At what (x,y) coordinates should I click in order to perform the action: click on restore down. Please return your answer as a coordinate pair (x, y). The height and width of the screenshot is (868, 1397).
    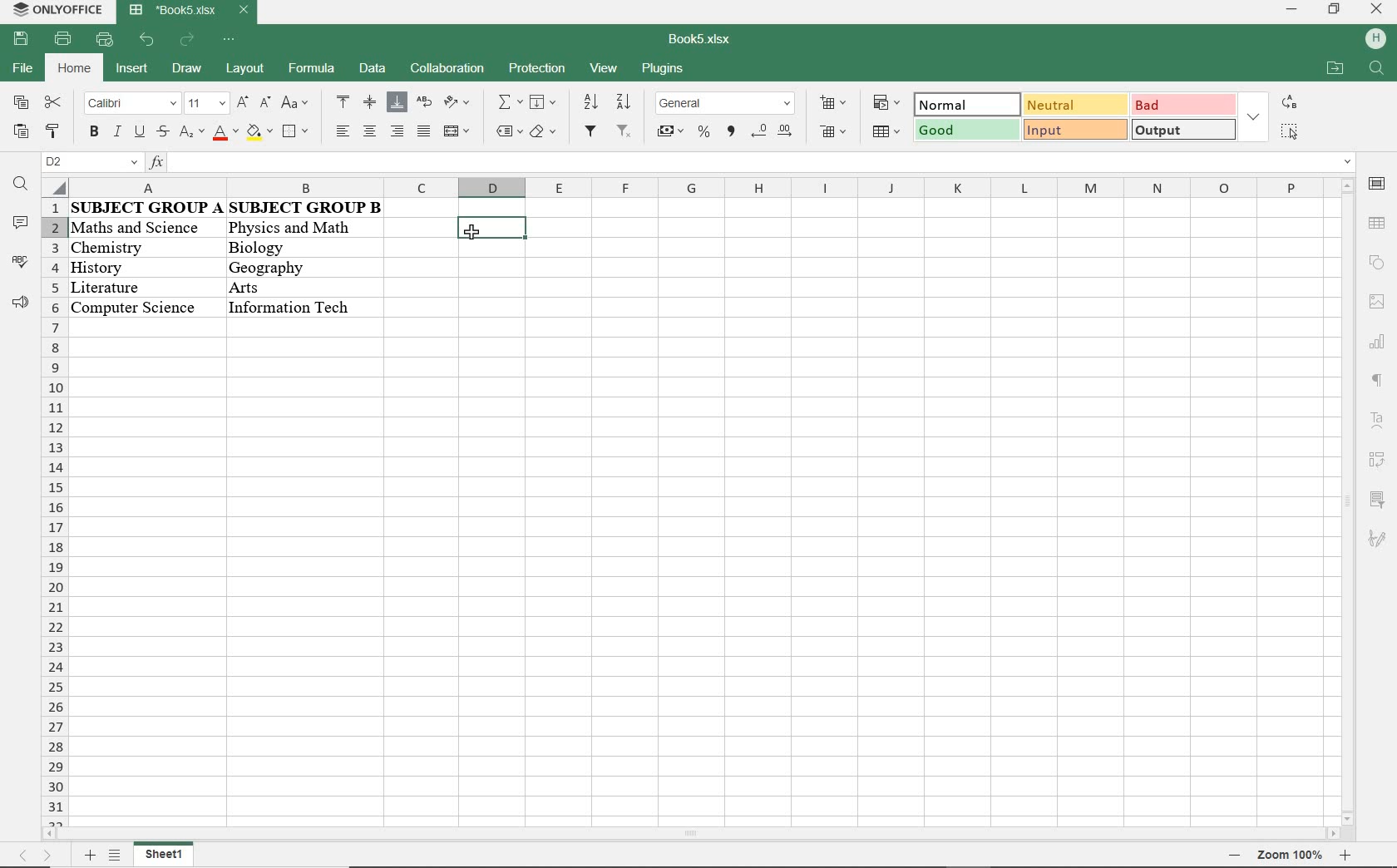
    Looking at the image, I should click on (1333, 11).